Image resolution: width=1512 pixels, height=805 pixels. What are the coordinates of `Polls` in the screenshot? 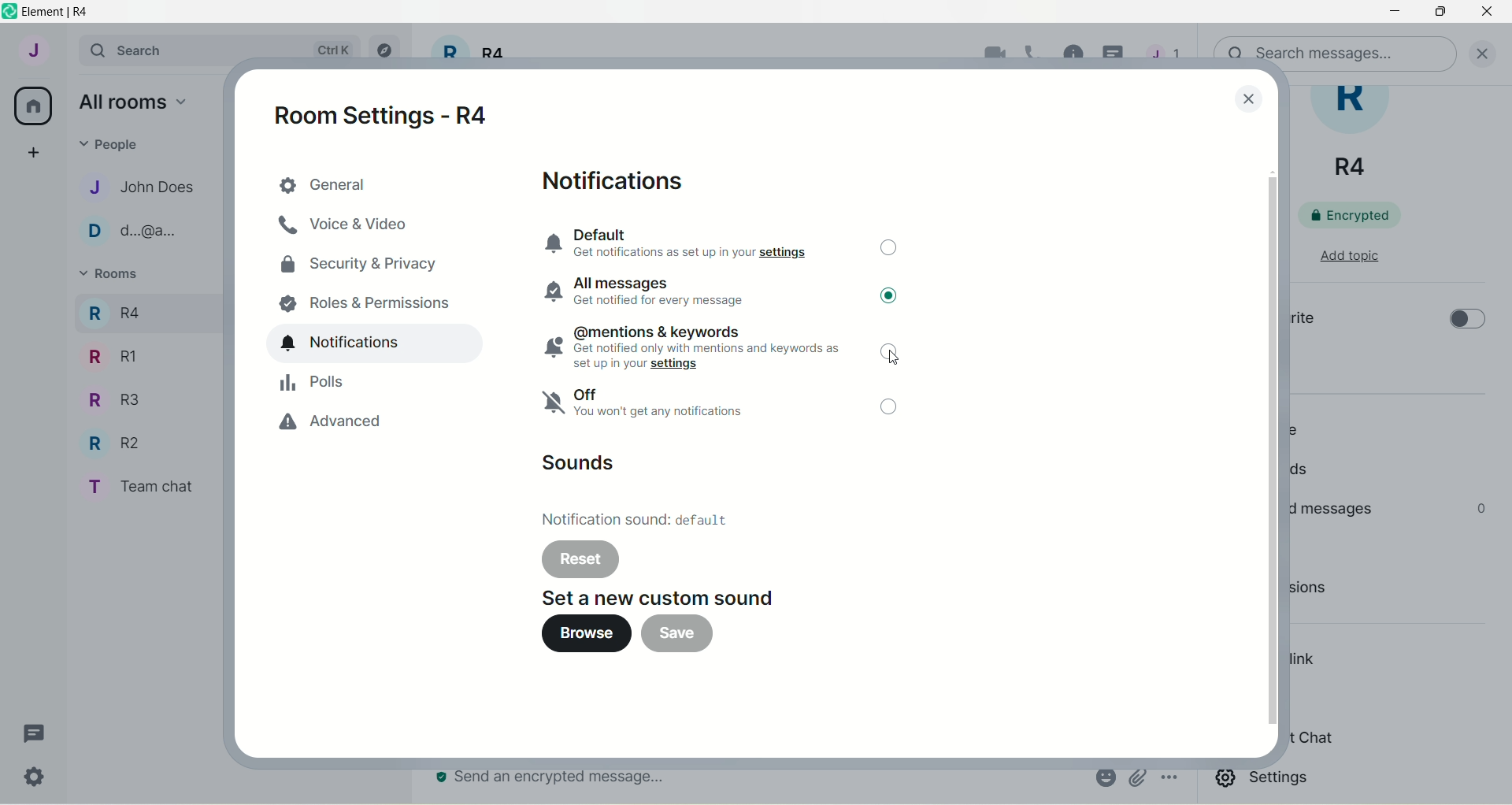 It's located at (362, 382).